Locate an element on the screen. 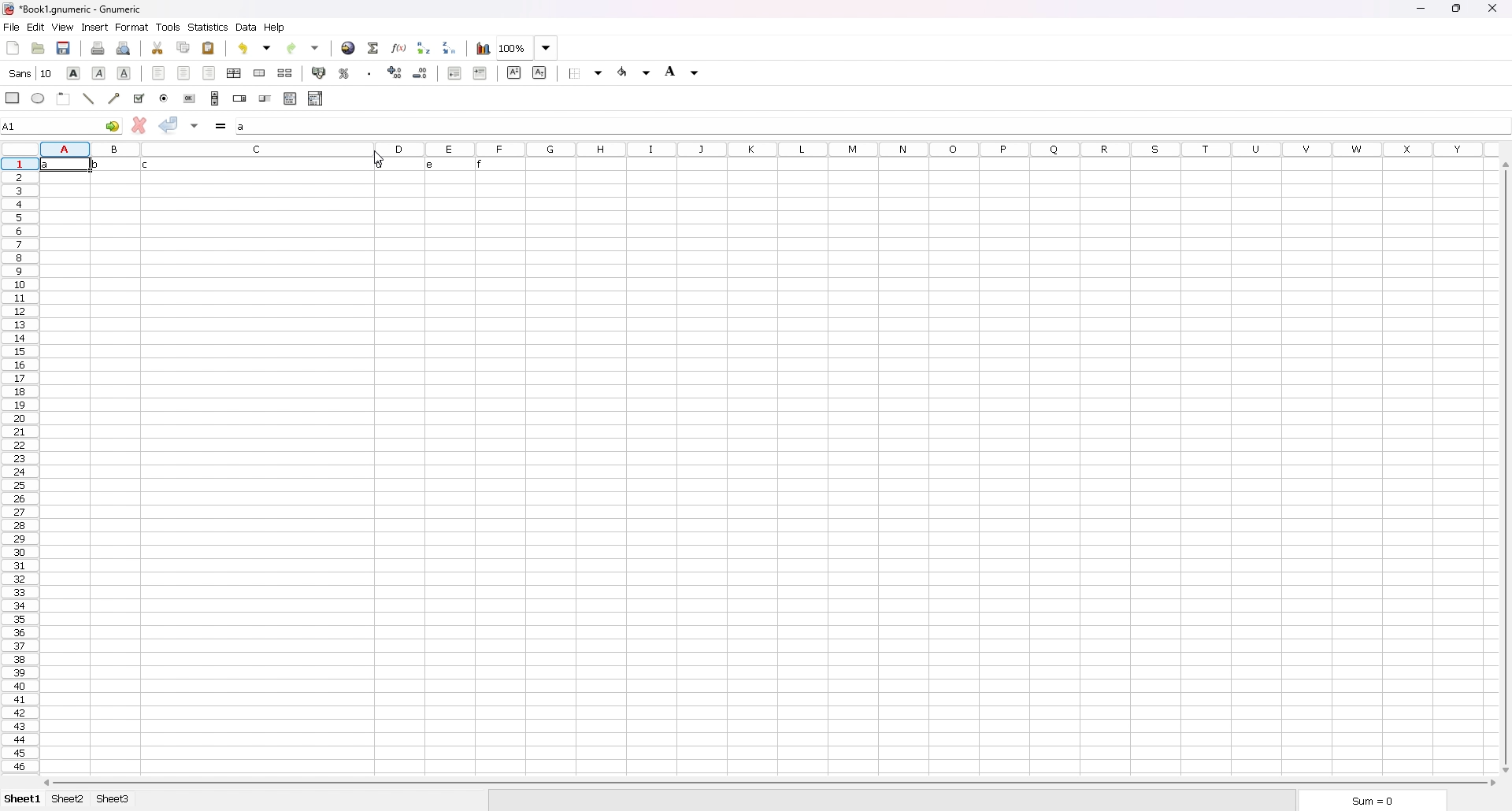  hyperlink is located at coordinates (348, 48).